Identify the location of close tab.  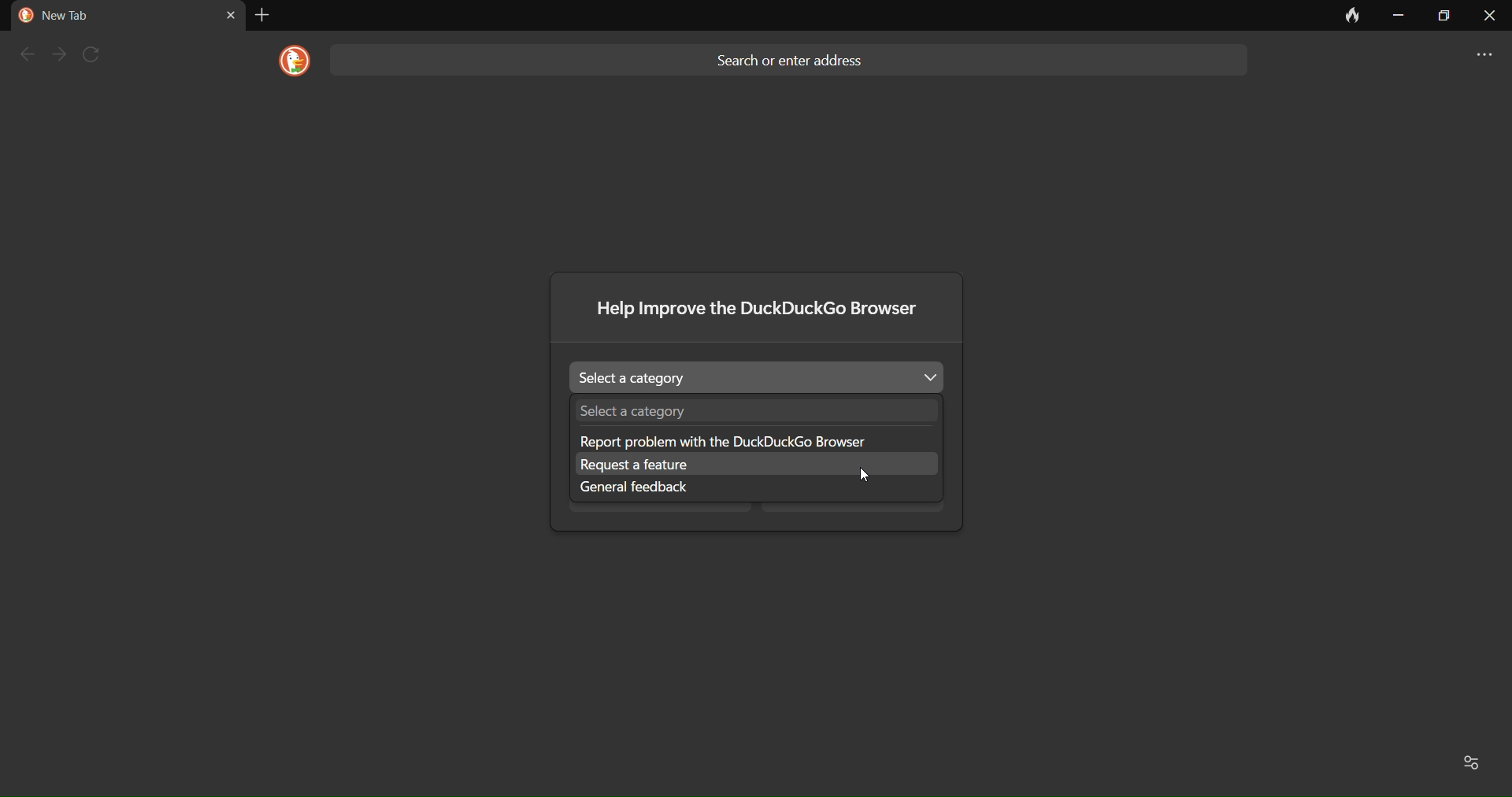
(230, 14).